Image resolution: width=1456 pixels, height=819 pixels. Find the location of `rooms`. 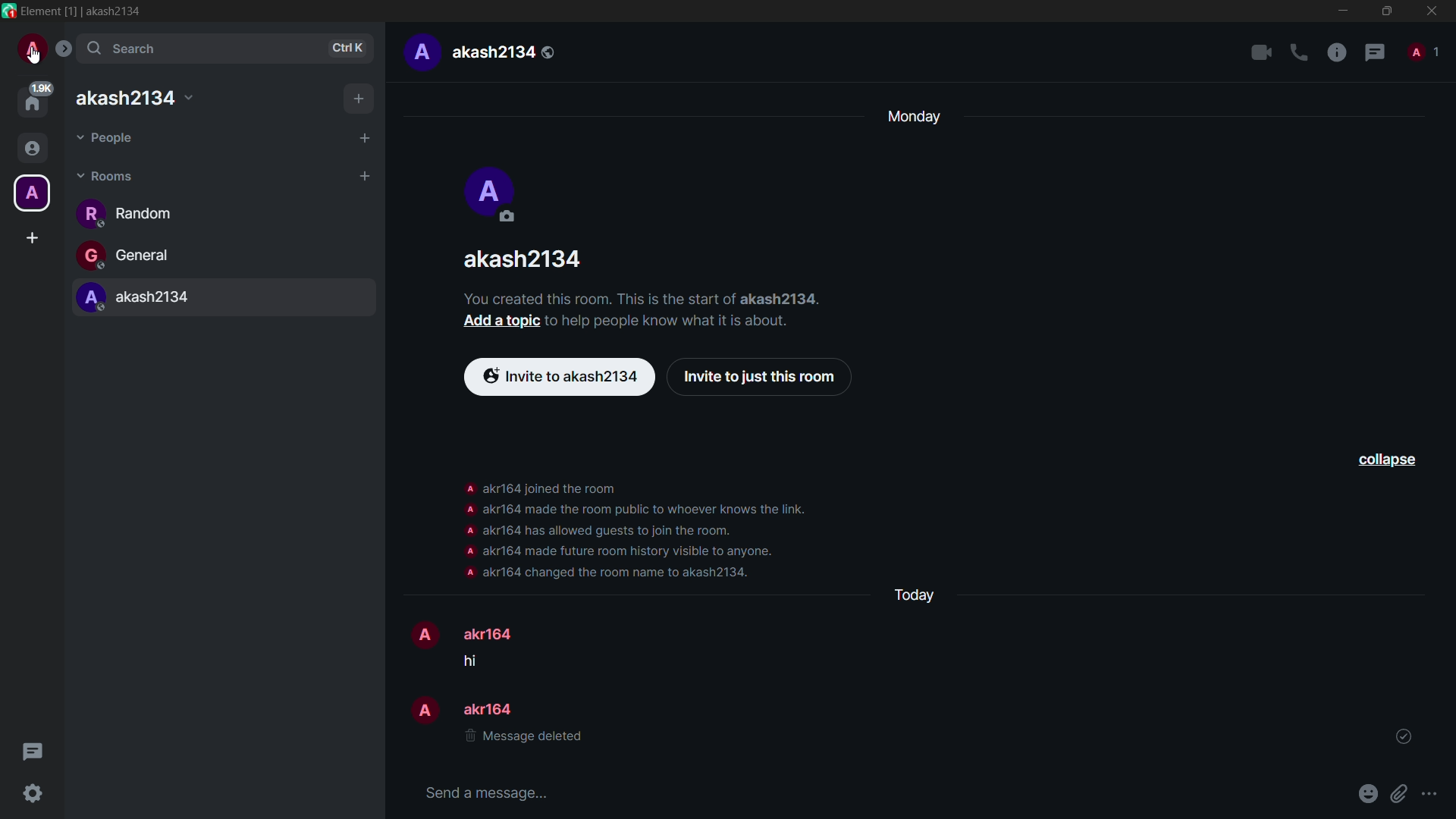

rooms is located at coordinates (106, 177).